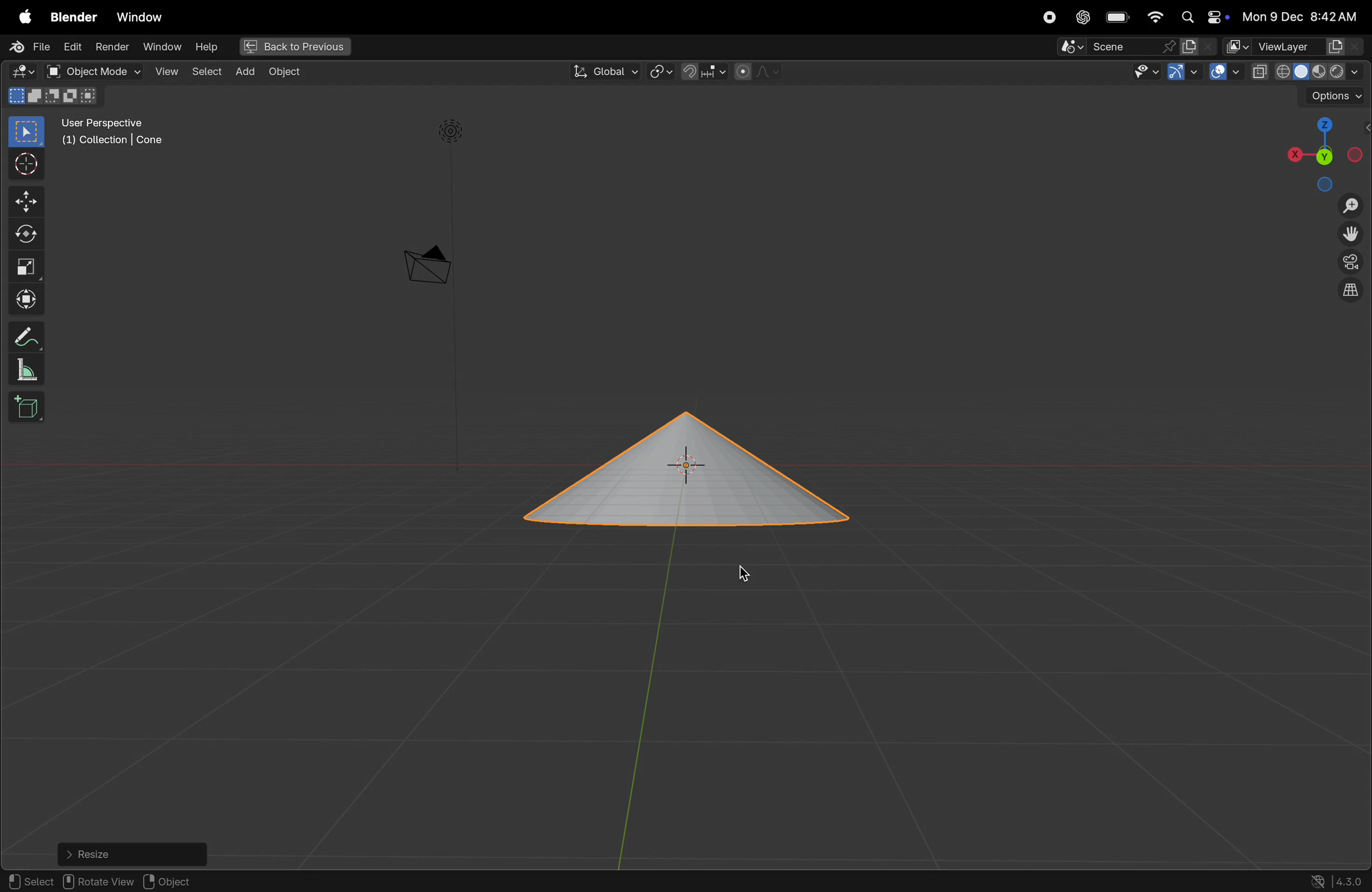  Describe the element at coordinates (26, 266) in the screenshot. I see `scale` at that location.